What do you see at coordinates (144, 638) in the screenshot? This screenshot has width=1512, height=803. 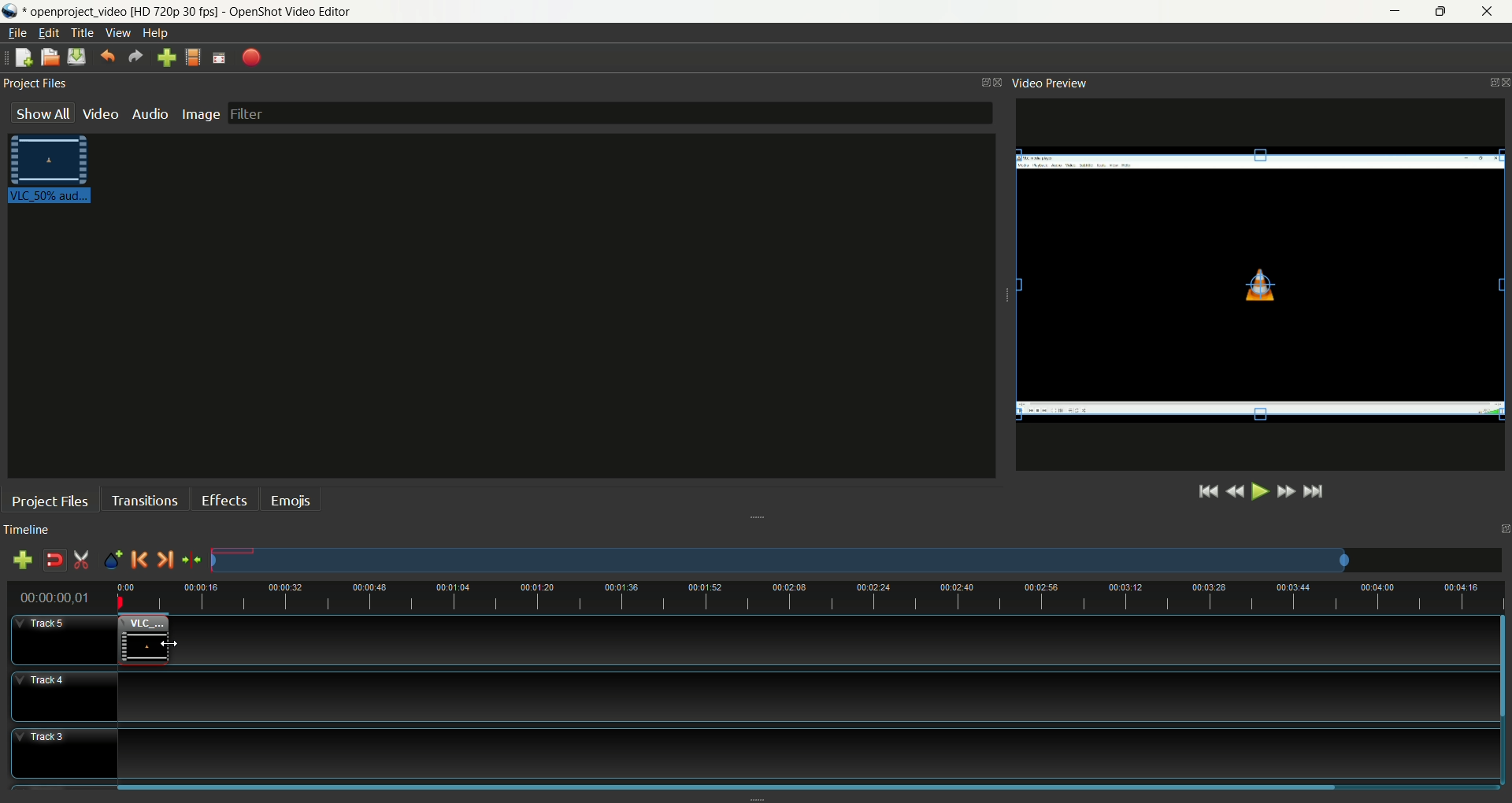 I see `video clip` at bounding box center [144, 638].